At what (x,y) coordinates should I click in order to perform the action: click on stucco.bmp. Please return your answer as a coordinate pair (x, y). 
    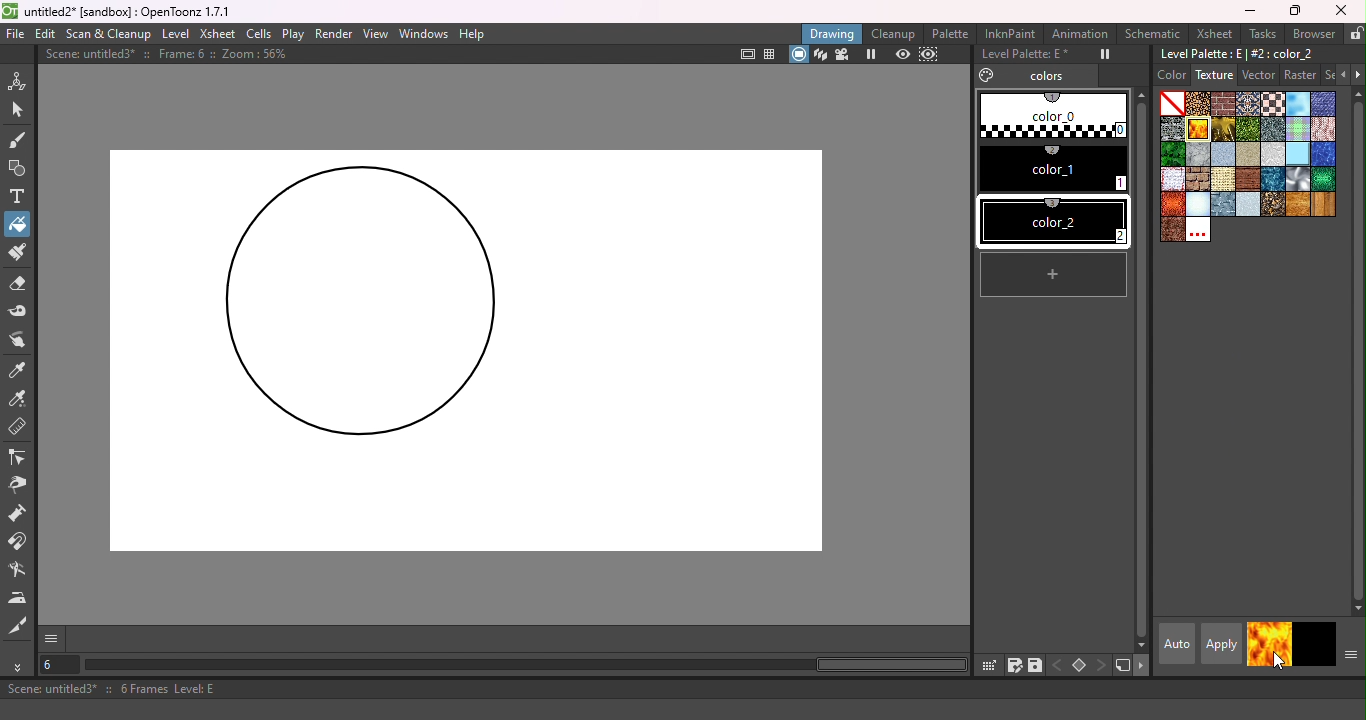
    Looking at the image, I should click on (1249, 205).